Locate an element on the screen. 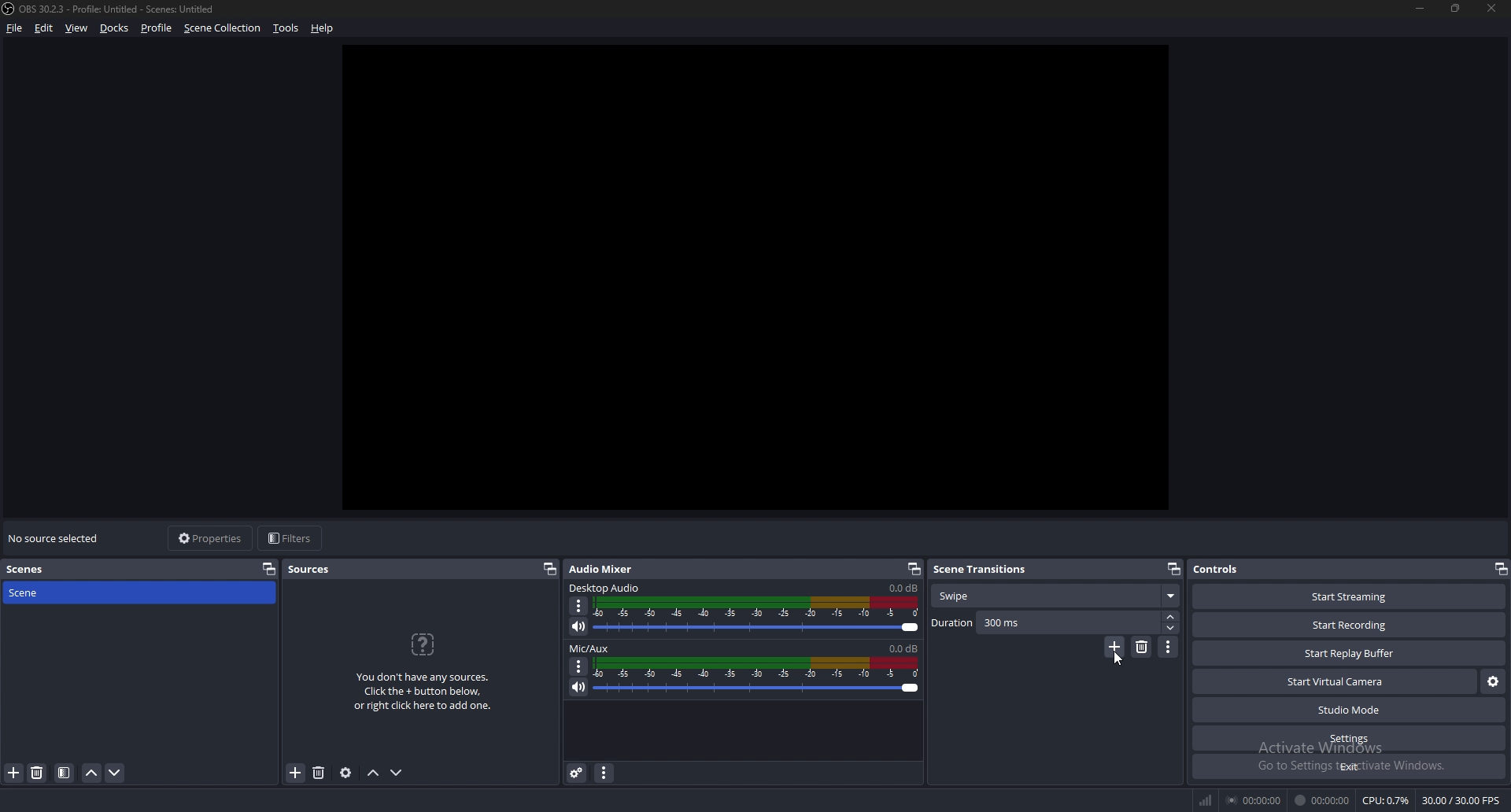 The image size is (1511, 812). network is located at coordinates (1209, 799).